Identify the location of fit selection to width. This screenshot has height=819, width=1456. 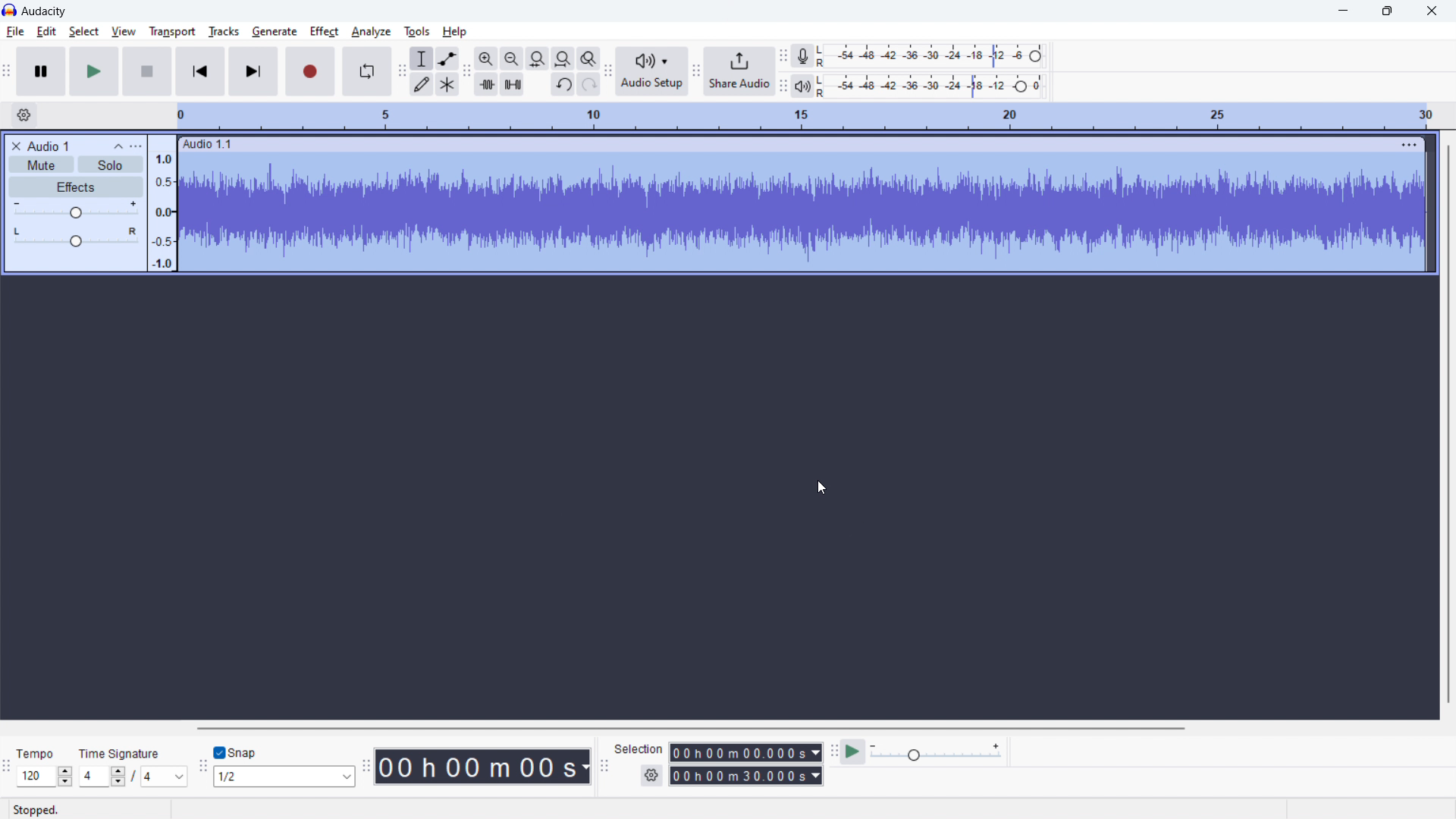
(537, 58).